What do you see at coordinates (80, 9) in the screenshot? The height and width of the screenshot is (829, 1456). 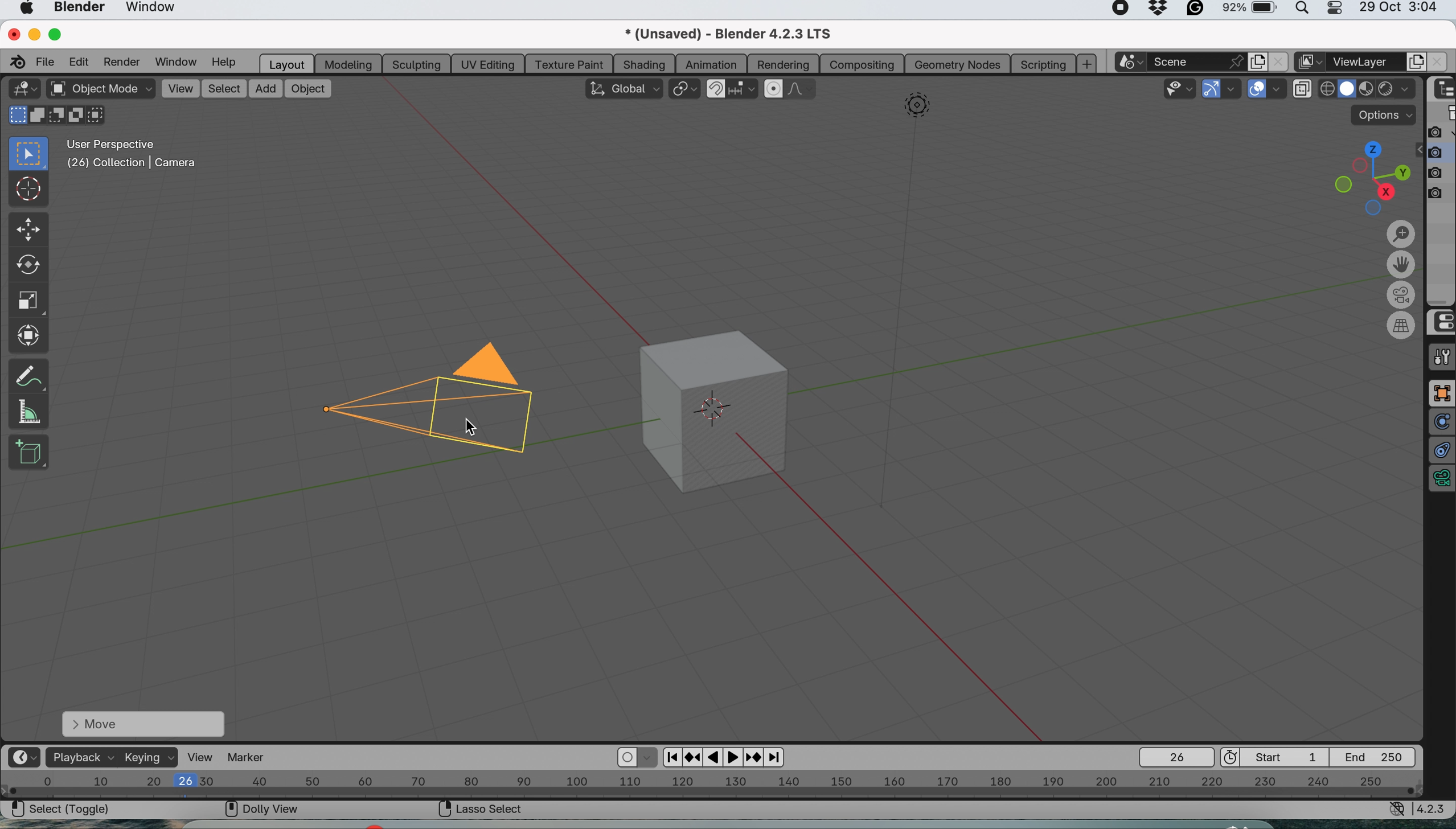 I see `blender` at bounding box center [80, 9].